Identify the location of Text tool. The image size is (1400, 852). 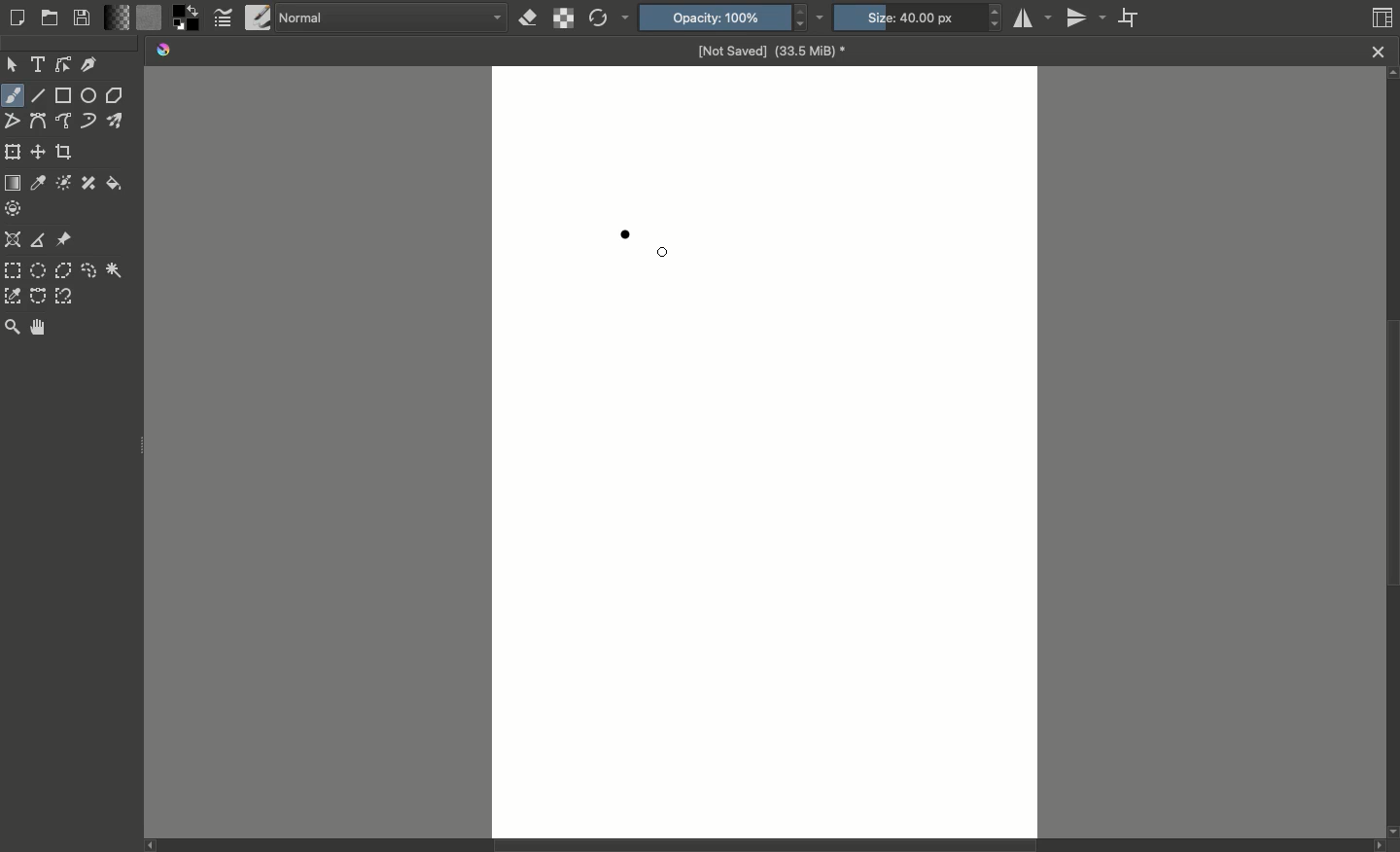
(39, 64).